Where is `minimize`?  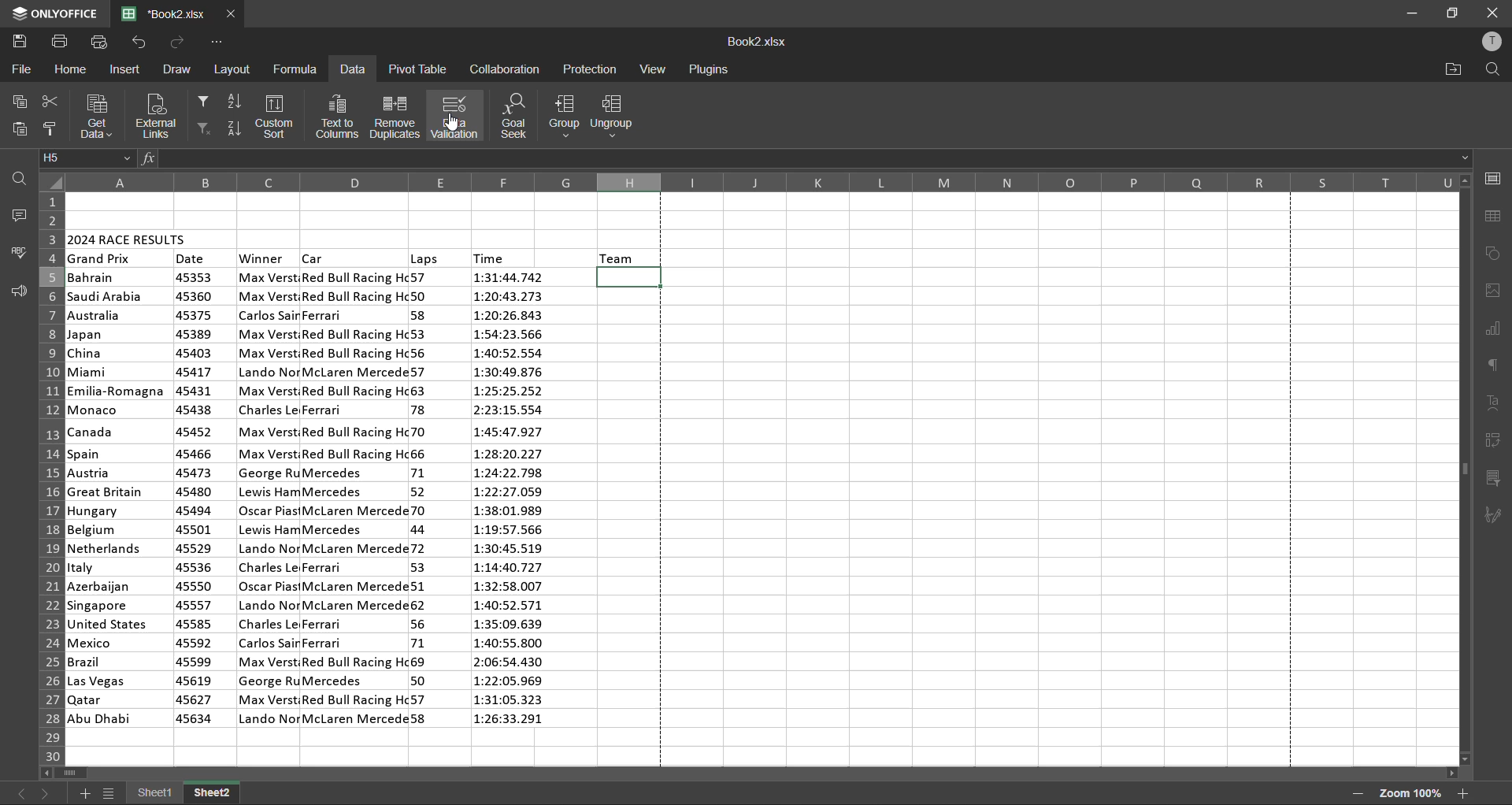
minimize is located at coordinates (1411, 14).